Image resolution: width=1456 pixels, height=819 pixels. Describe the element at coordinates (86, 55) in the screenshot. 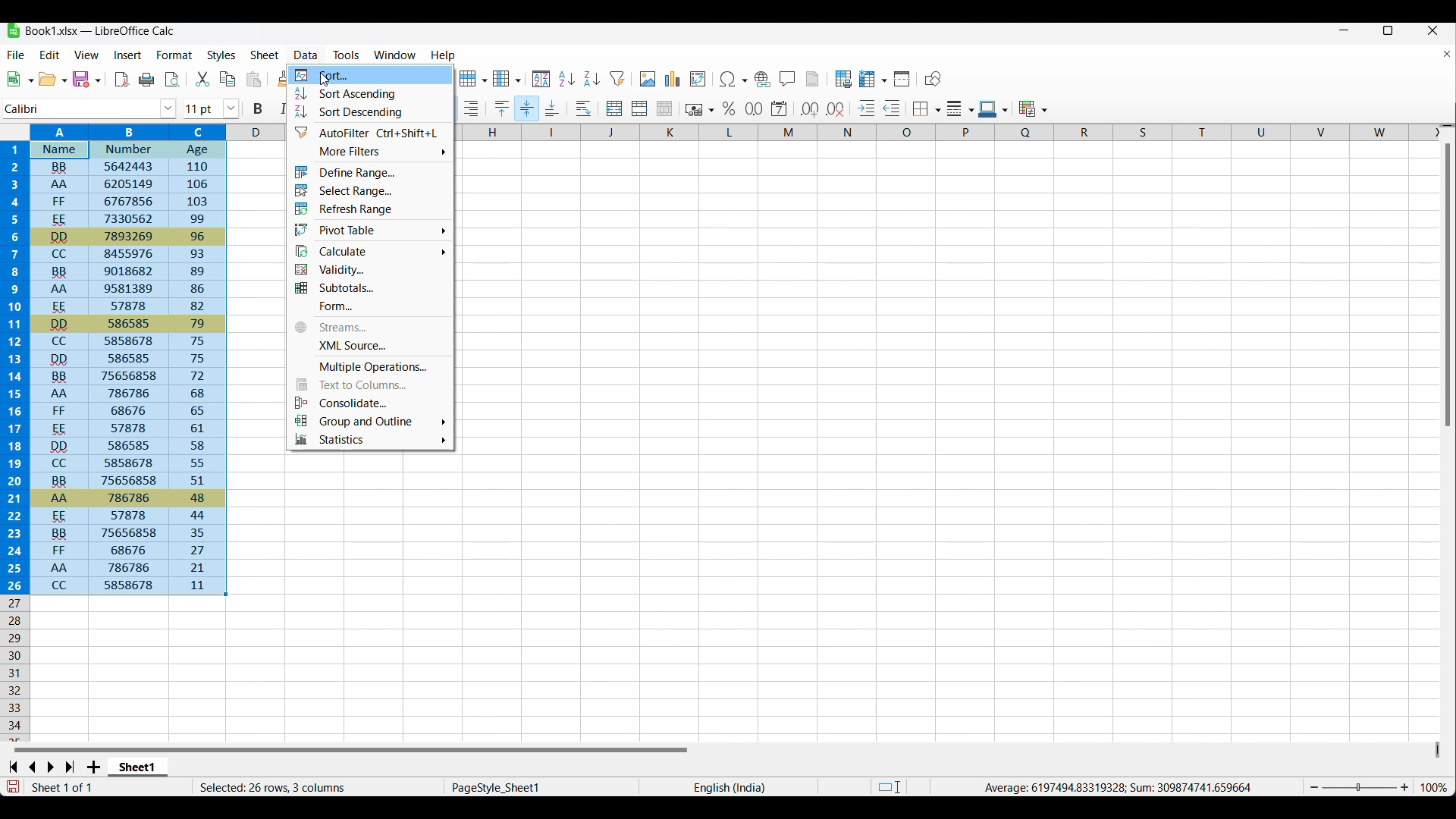

I see `View menu` at that location.